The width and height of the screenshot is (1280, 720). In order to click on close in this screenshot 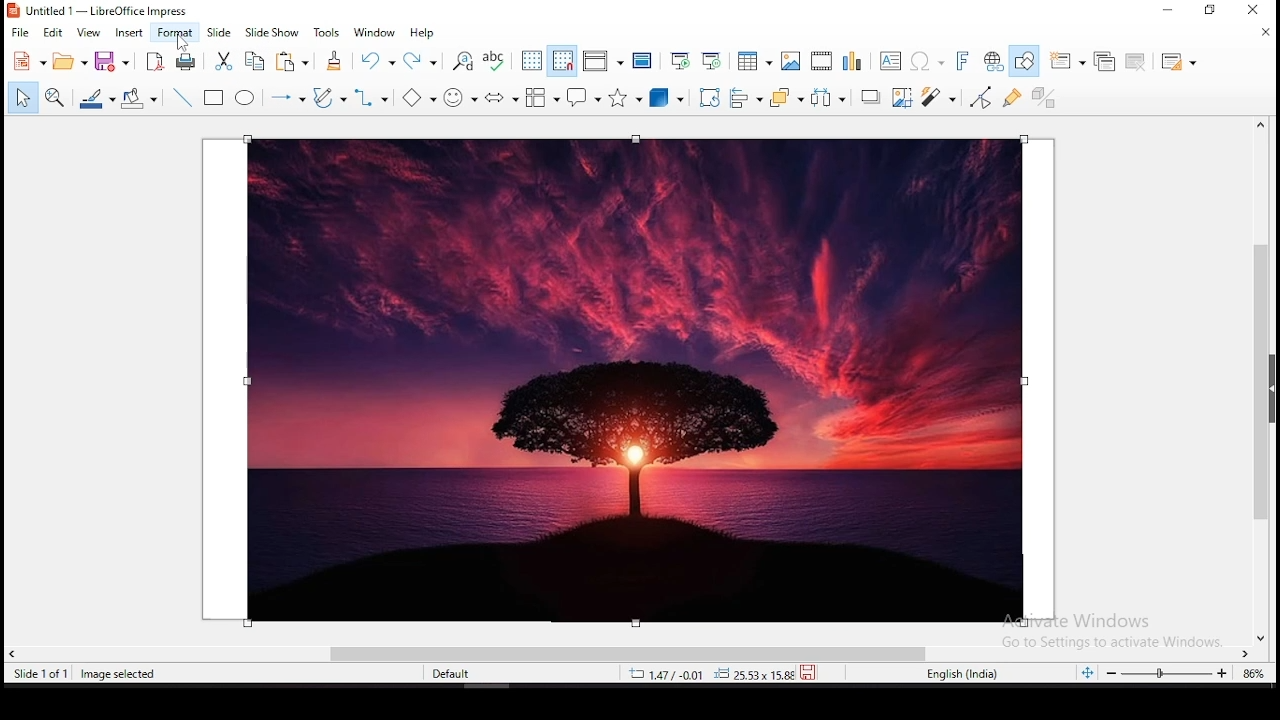, I will do `click(1264, 32)`.